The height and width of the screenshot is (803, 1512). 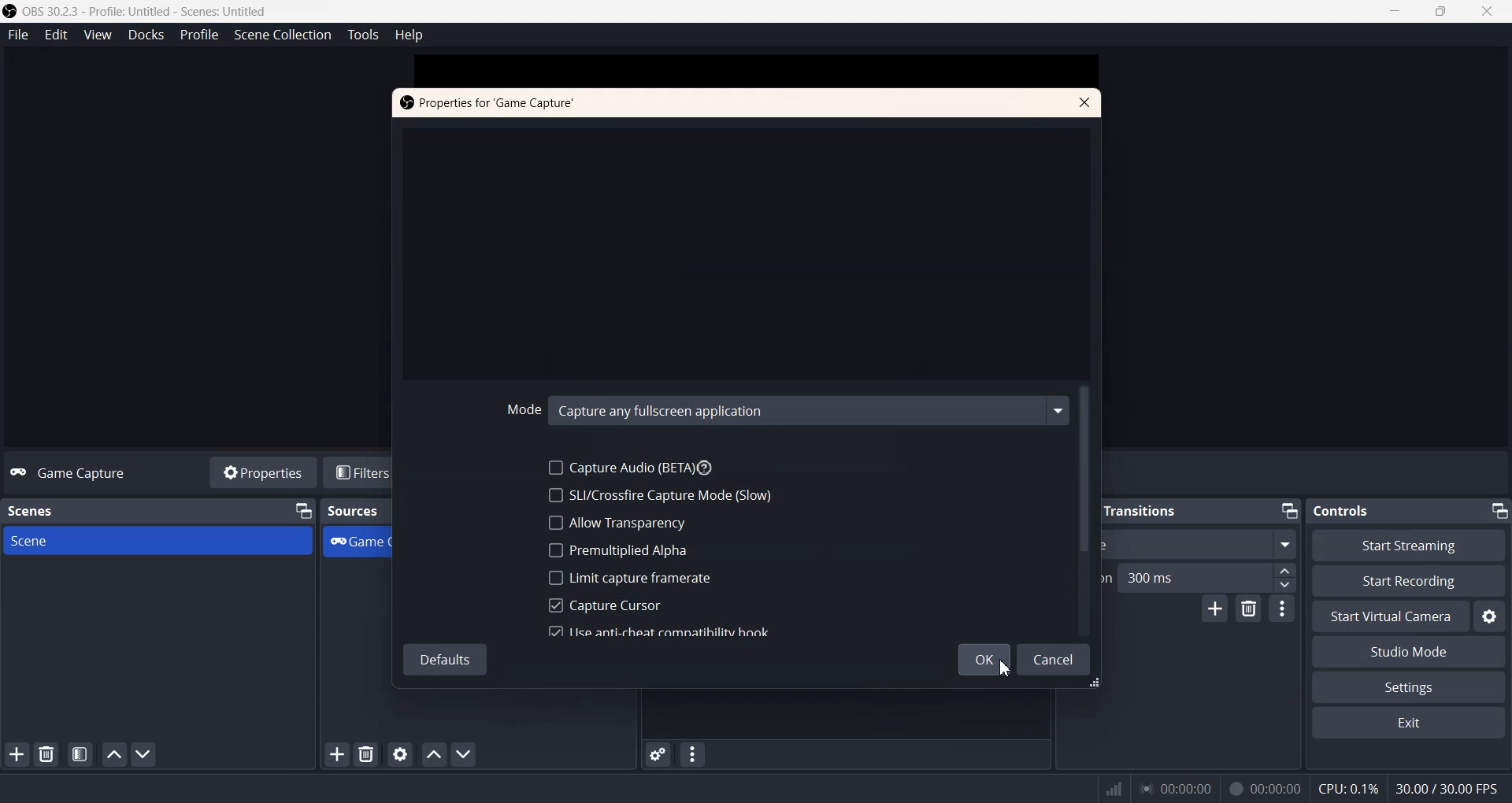 I want to click on OK, so click(x=983, y=660).